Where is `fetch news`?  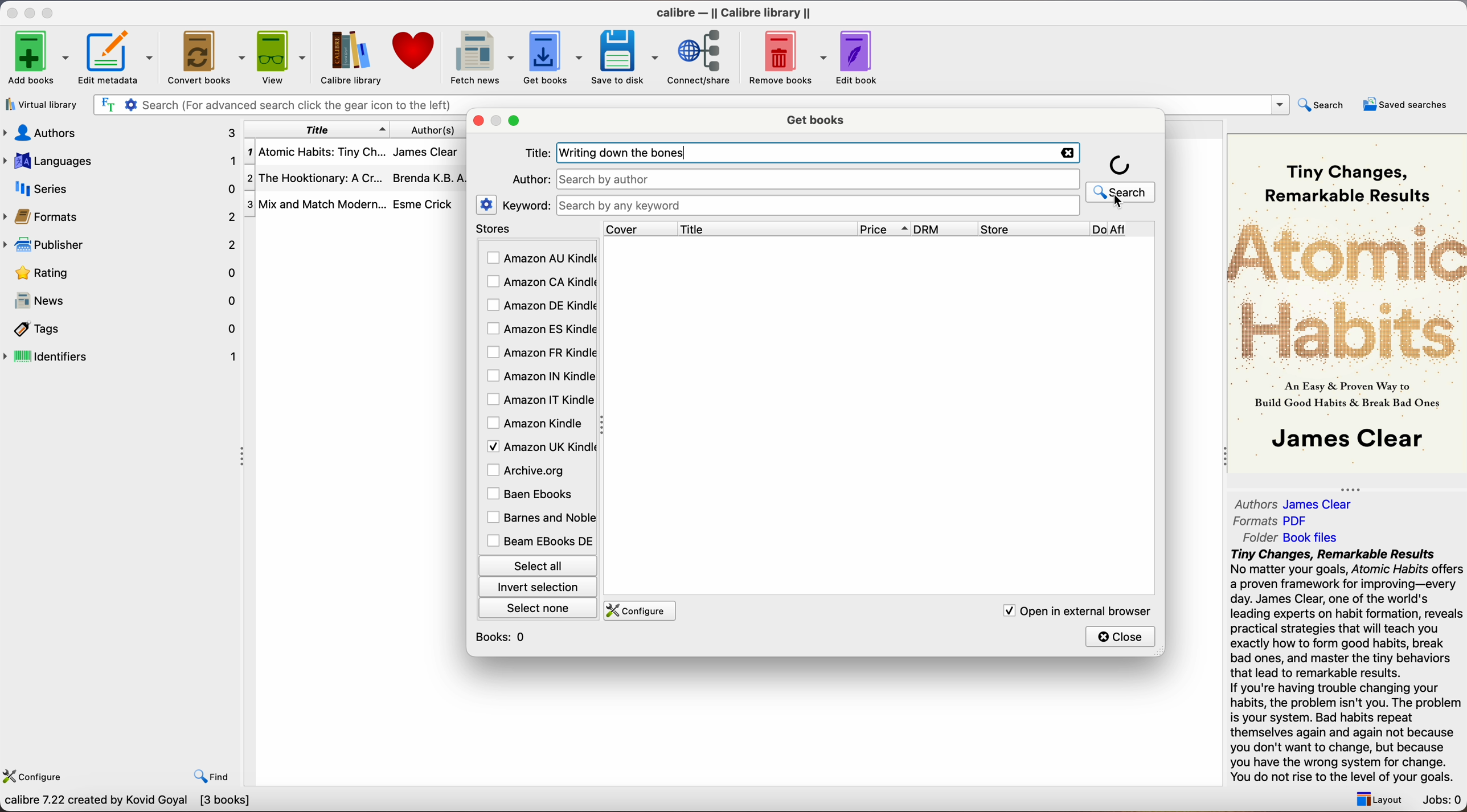 fetch news is located at coordinates (480, 58).